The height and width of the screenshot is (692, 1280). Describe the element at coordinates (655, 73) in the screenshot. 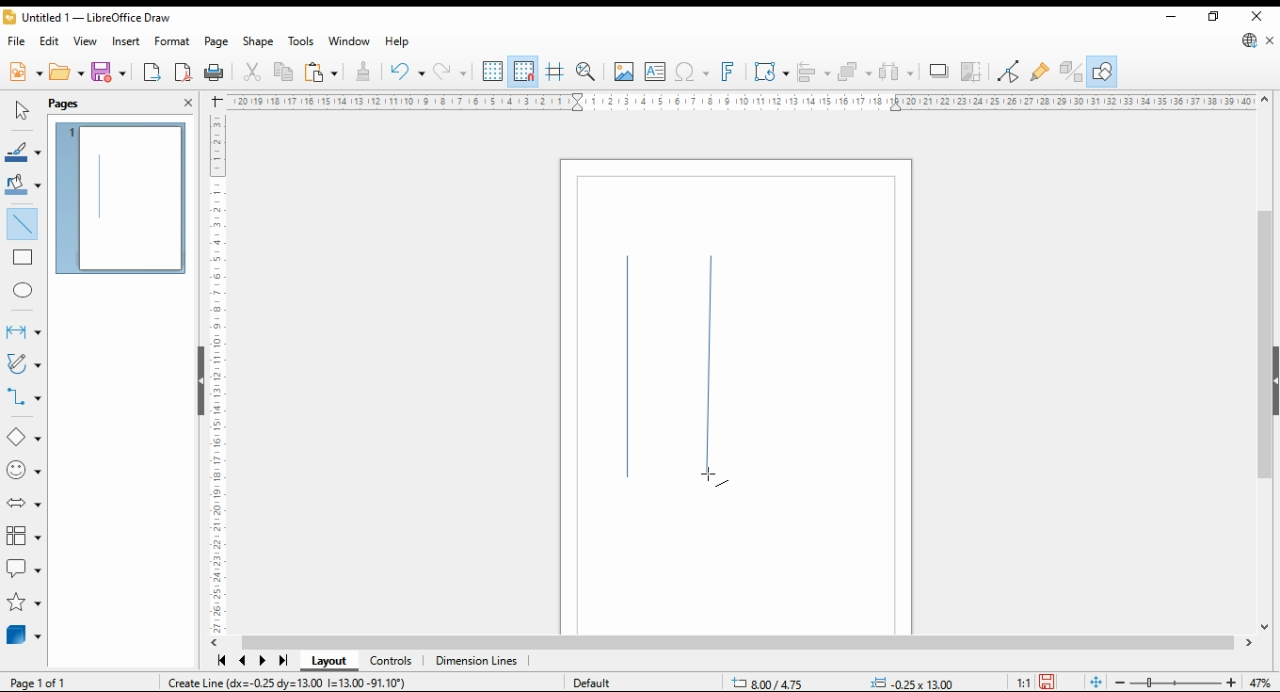

I see `insert textbox` at that location.